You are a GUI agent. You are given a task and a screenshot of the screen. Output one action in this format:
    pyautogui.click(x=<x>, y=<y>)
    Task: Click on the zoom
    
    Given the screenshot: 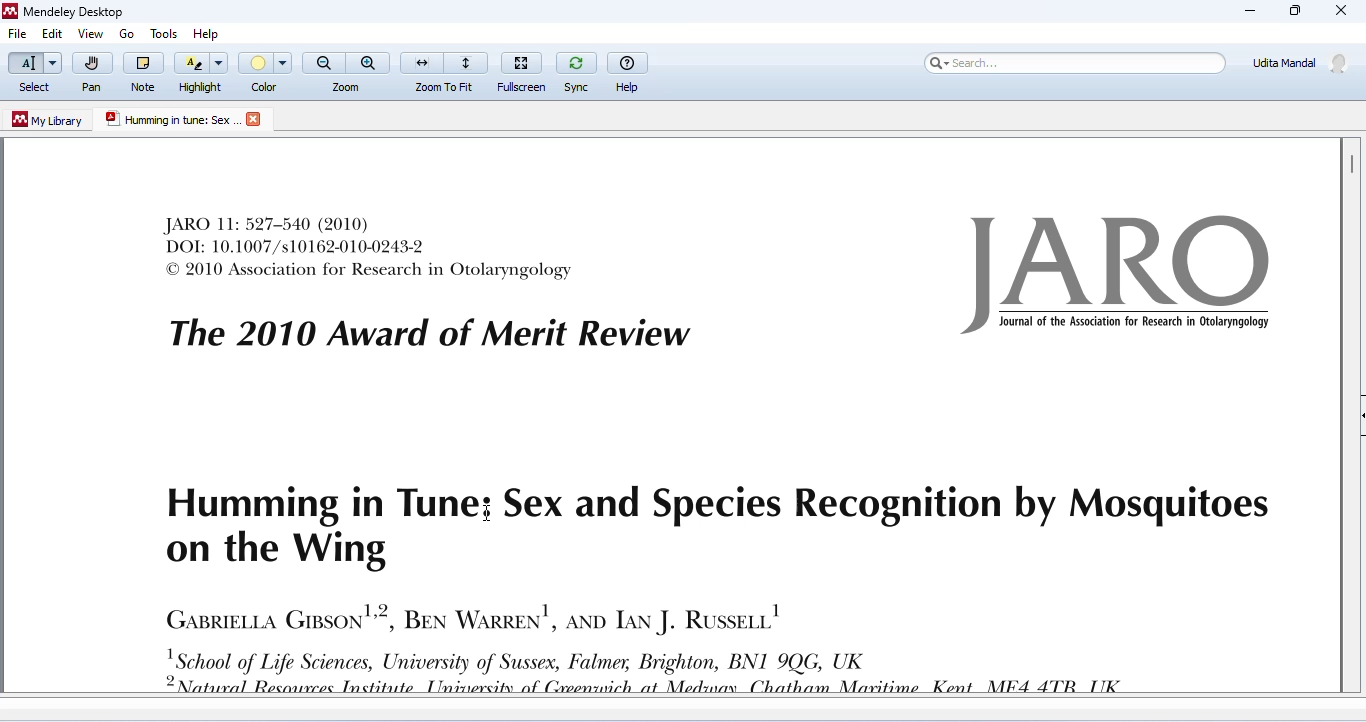 What is the action you would take?
    pyautogui.click(x=347, y=71)
    